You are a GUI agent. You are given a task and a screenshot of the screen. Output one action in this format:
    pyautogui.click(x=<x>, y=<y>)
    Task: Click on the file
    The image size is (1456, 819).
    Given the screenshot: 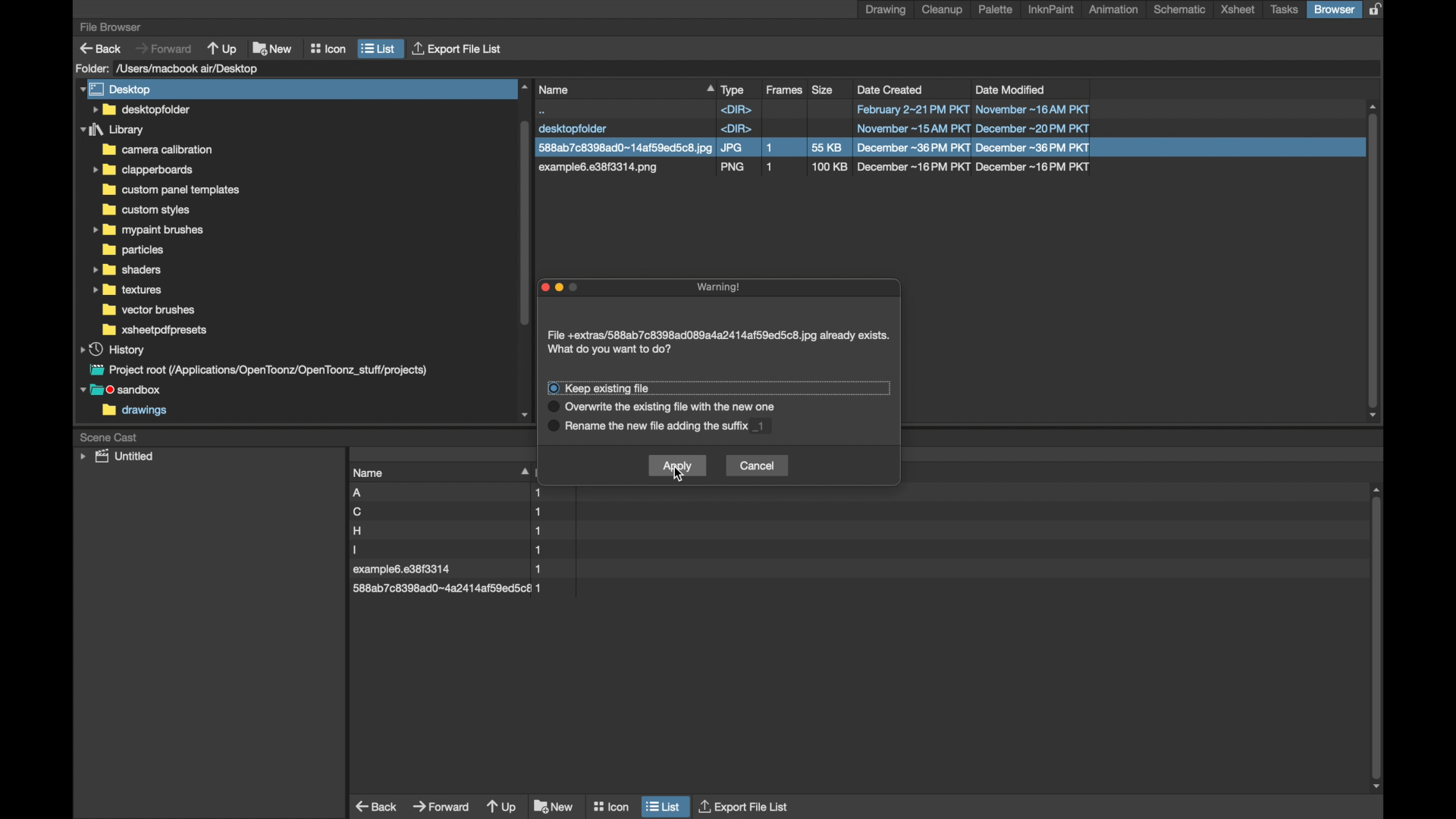 What is the action you would take?
    pyautogui.click(x=449, y=550)
    